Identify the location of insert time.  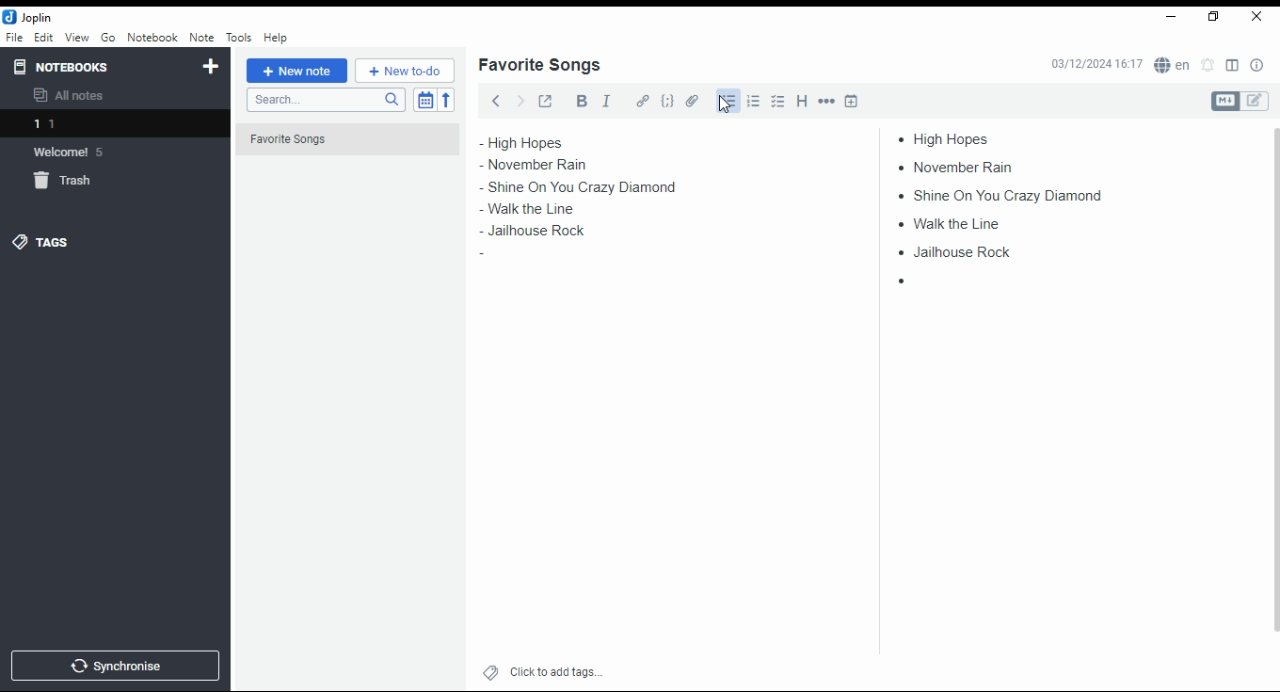
(852, 100).